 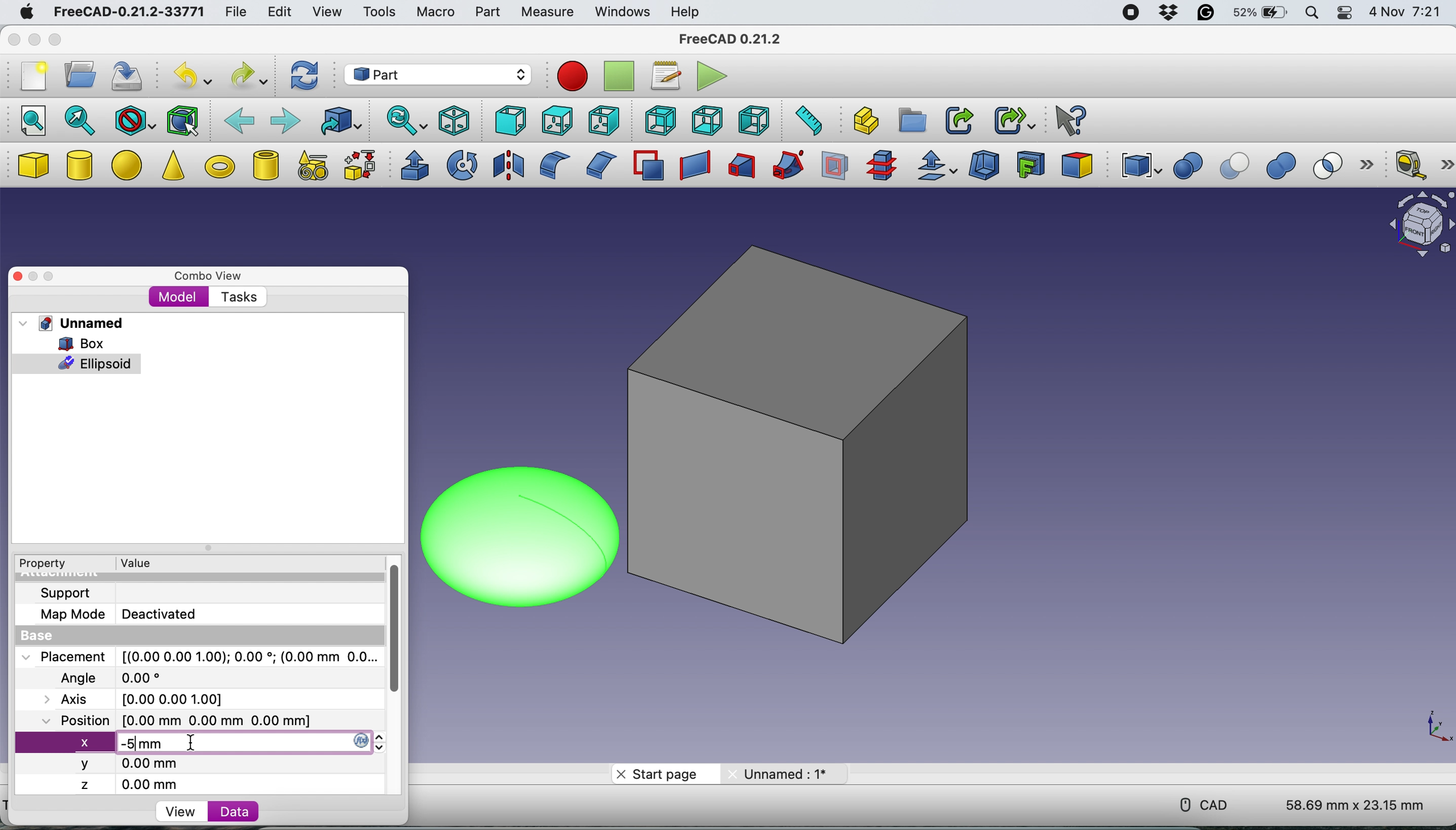 What do you see at coordinates (68, 616) in the screenshot?
I see `map mode` at bounding box center [68, 616].